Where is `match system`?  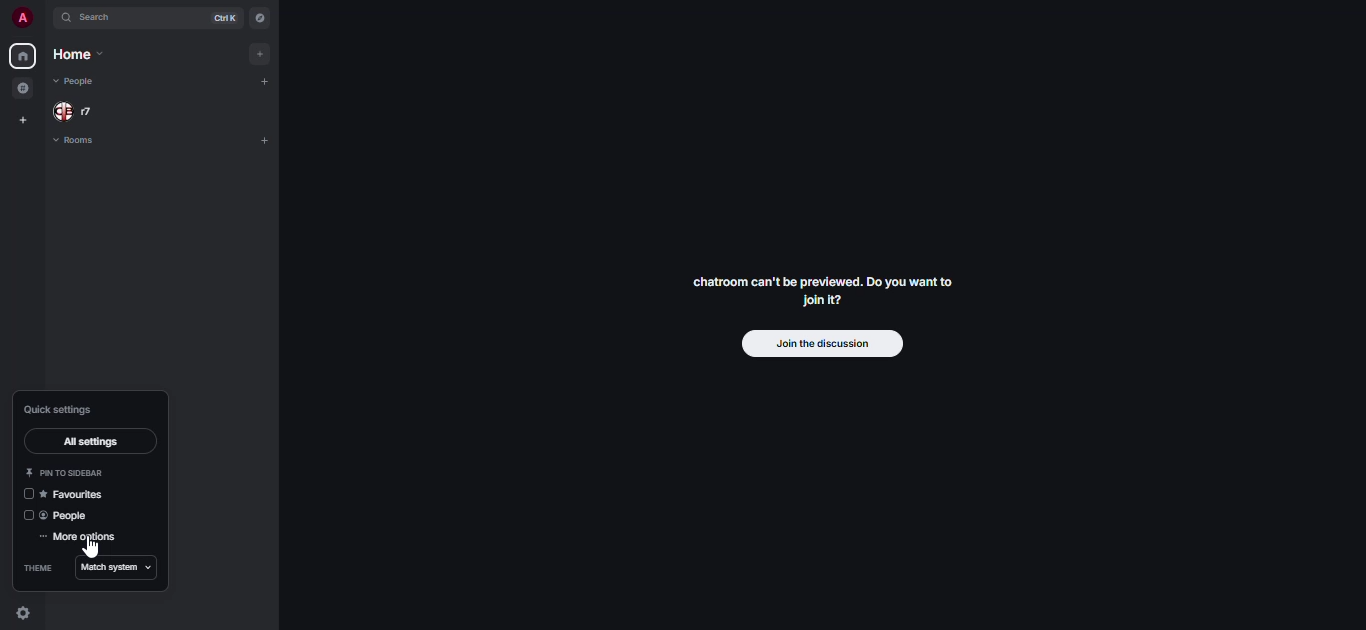
match system is located at coordinates (120, 567).